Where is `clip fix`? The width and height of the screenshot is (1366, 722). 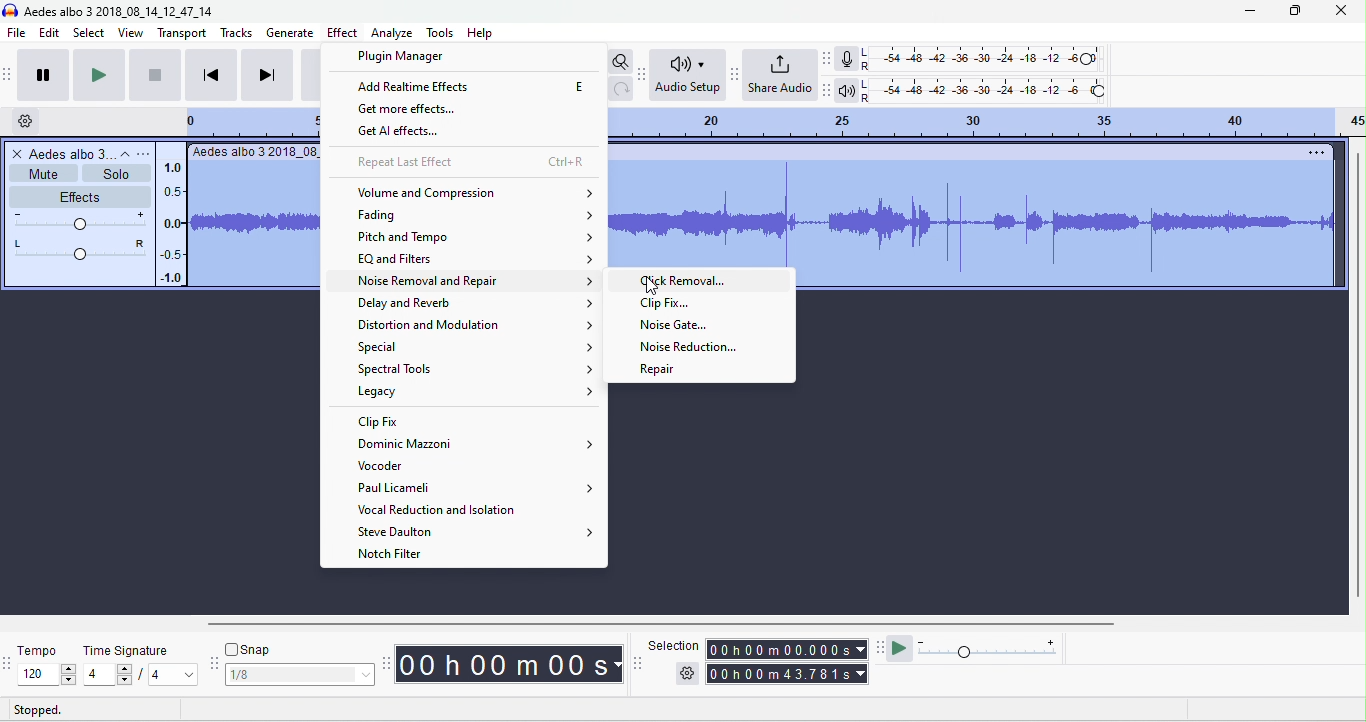 clip fix is located at coordinates (666, 303).